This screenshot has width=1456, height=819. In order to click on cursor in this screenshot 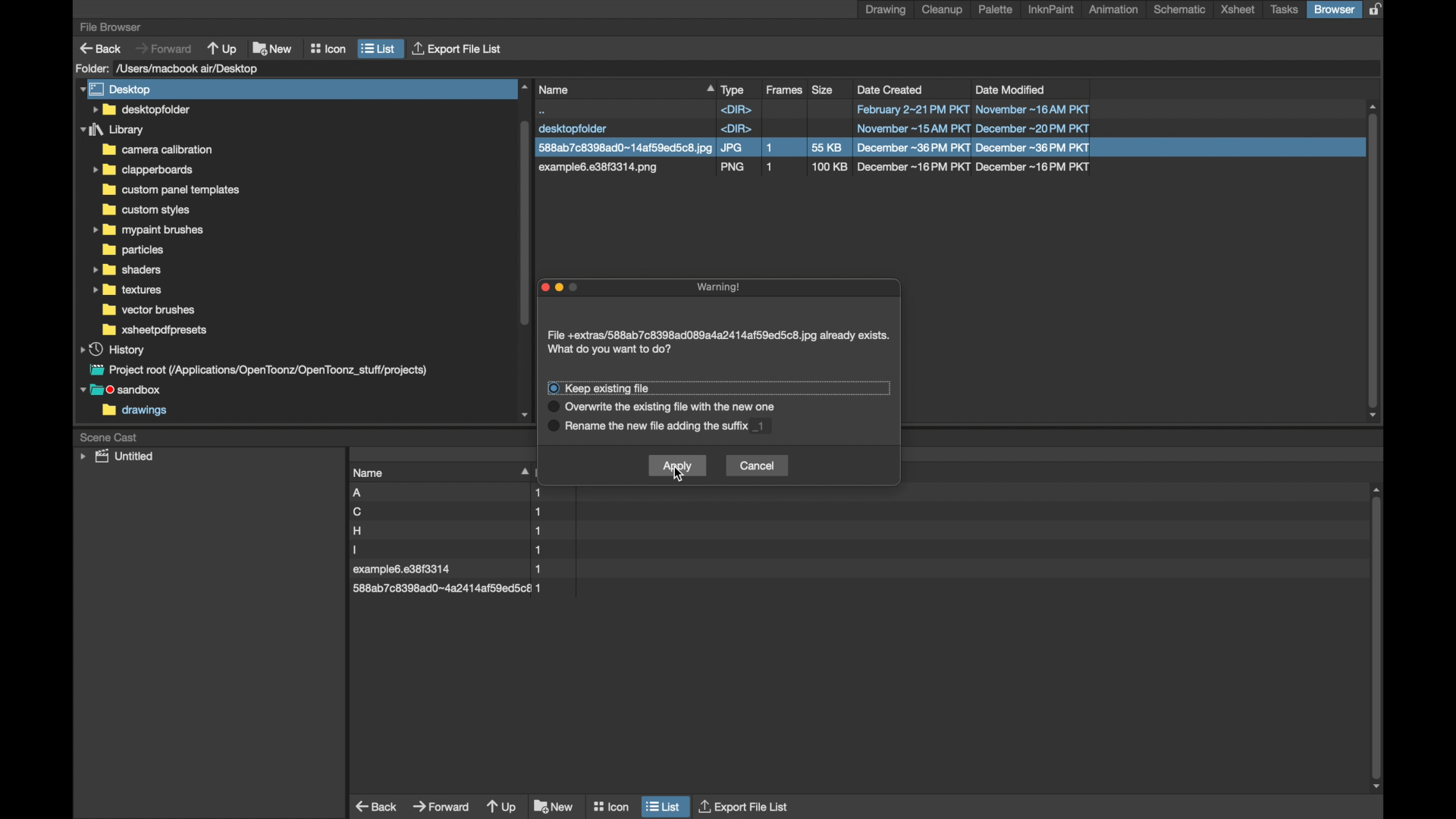, I will do `click(677, 475)`.